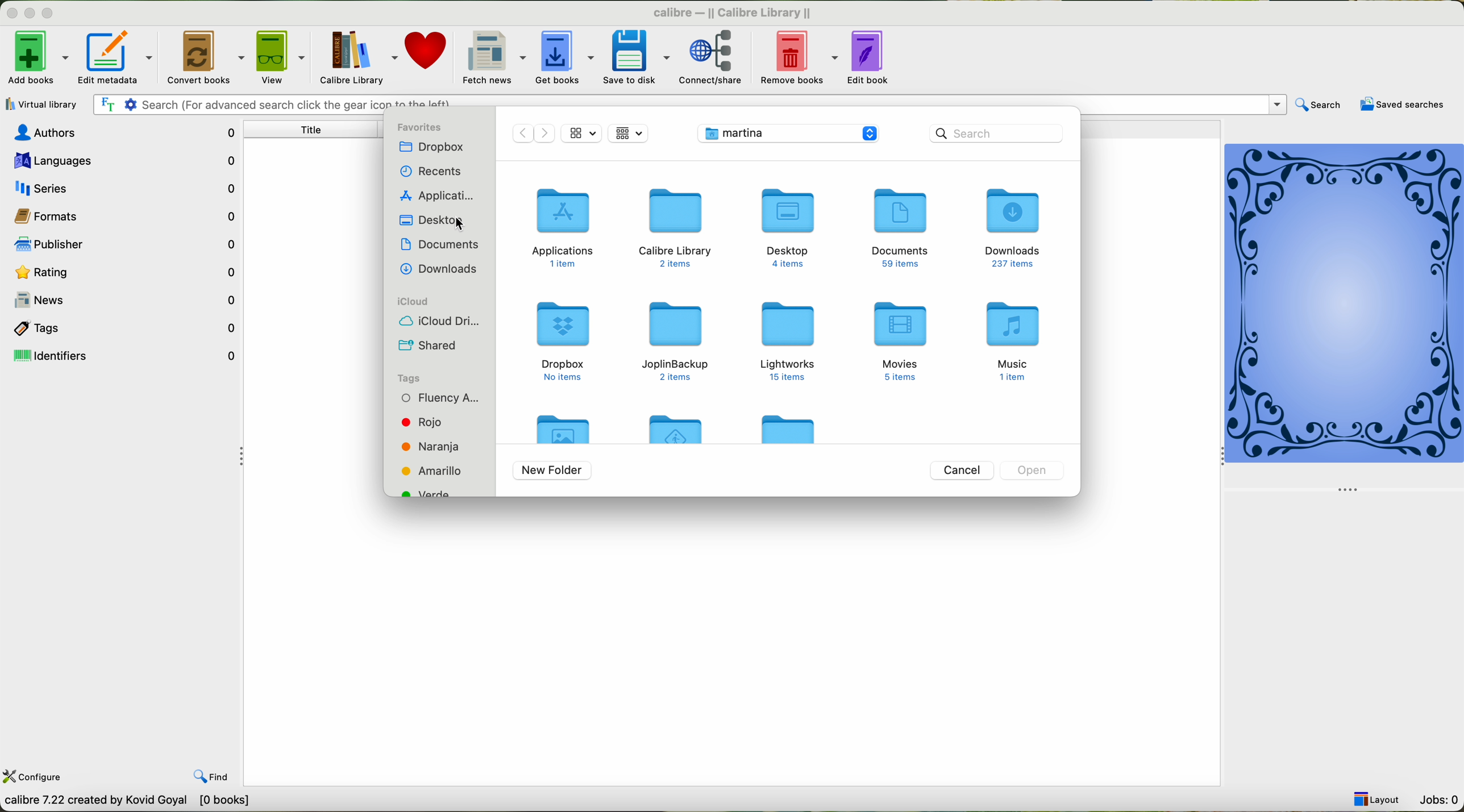 The image size is (1464, 812). Describe the element at coordinates (438, 244) in the screenshot. I see `documents` at that location.